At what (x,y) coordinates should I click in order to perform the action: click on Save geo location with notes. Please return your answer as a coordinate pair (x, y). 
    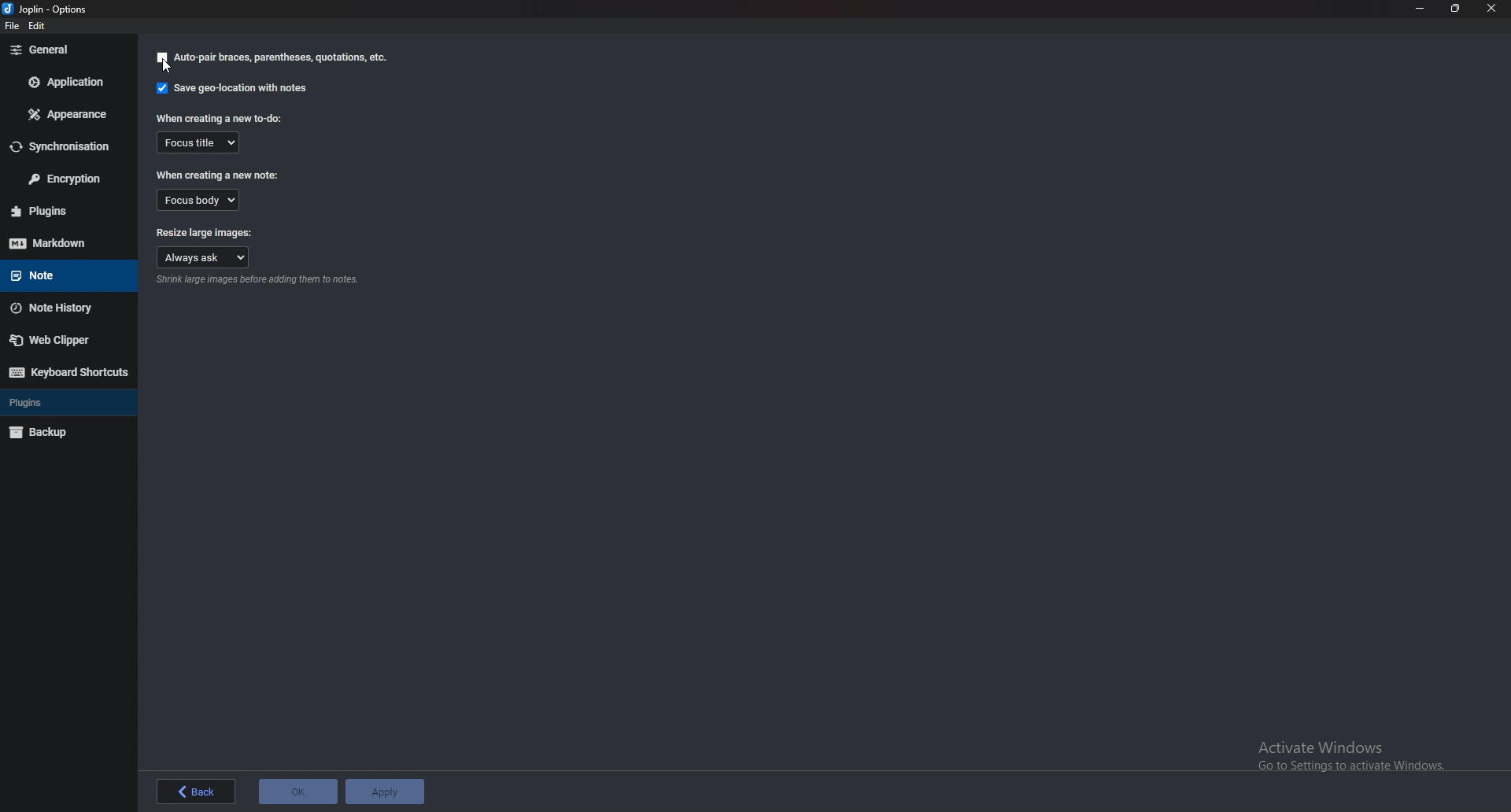
    Looking at the image, I should click on (231, 88).